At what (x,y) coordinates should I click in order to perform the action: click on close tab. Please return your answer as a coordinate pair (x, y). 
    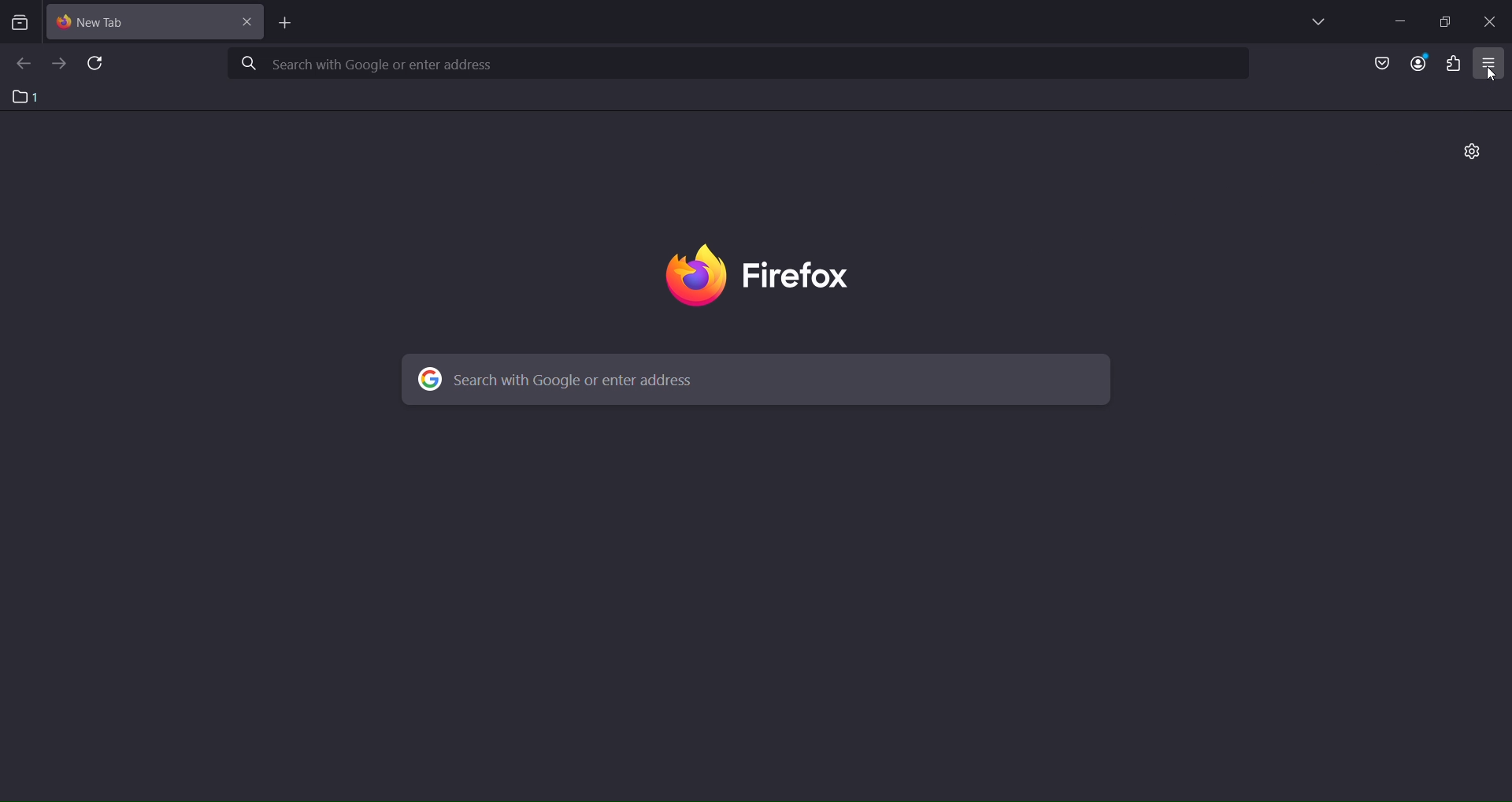
    Looking at the image, I should click on (250, 20).